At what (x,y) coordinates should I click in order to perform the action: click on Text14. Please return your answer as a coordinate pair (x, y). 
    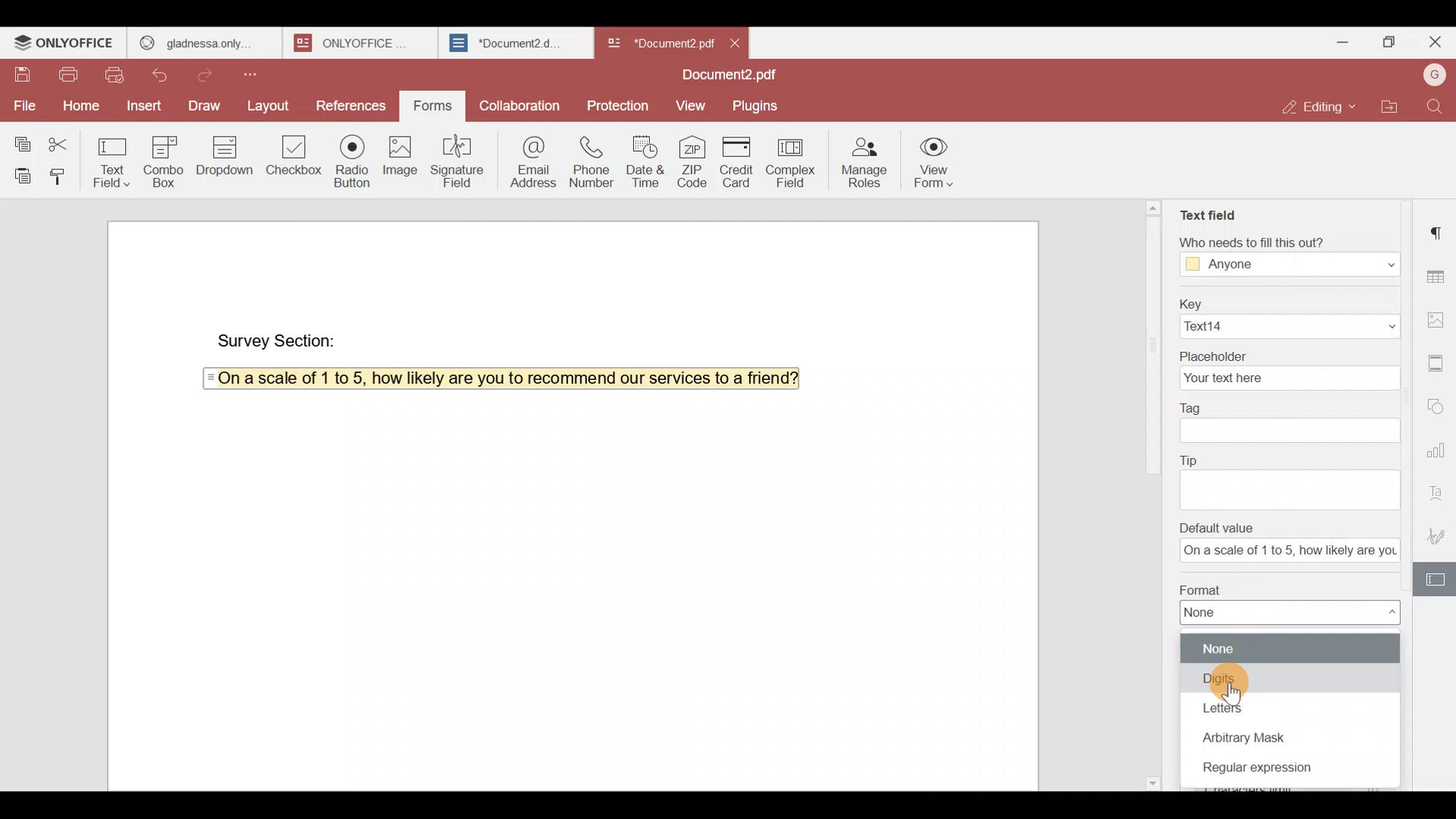
    Looking at the image, I should click on (1287, 326).